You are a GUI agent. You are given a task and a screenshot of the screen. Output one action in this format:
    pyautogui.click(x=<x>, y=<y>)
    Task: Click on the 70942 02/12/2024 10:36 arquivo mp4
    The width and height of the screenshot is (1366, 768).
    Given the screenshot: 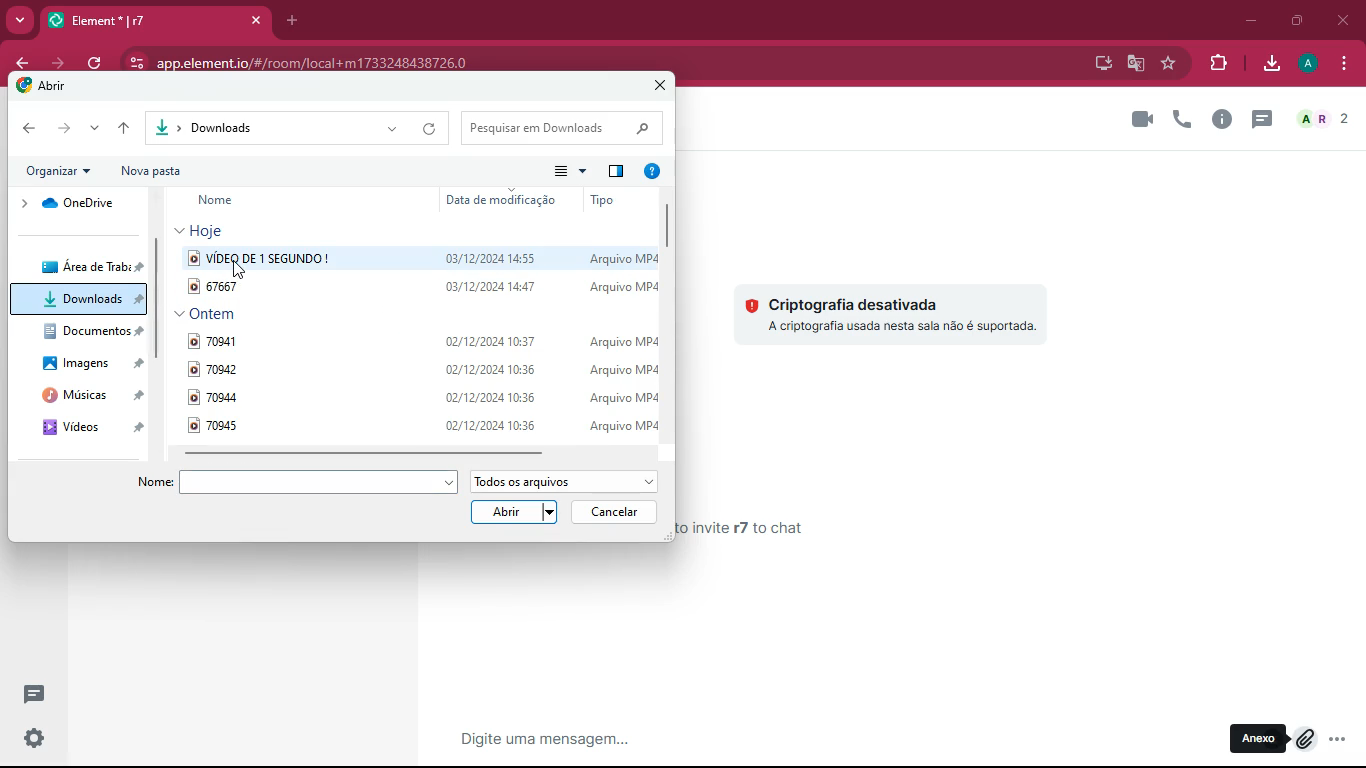 What is the action you would take?
    pyautogui.click(x=419, y=369)
    